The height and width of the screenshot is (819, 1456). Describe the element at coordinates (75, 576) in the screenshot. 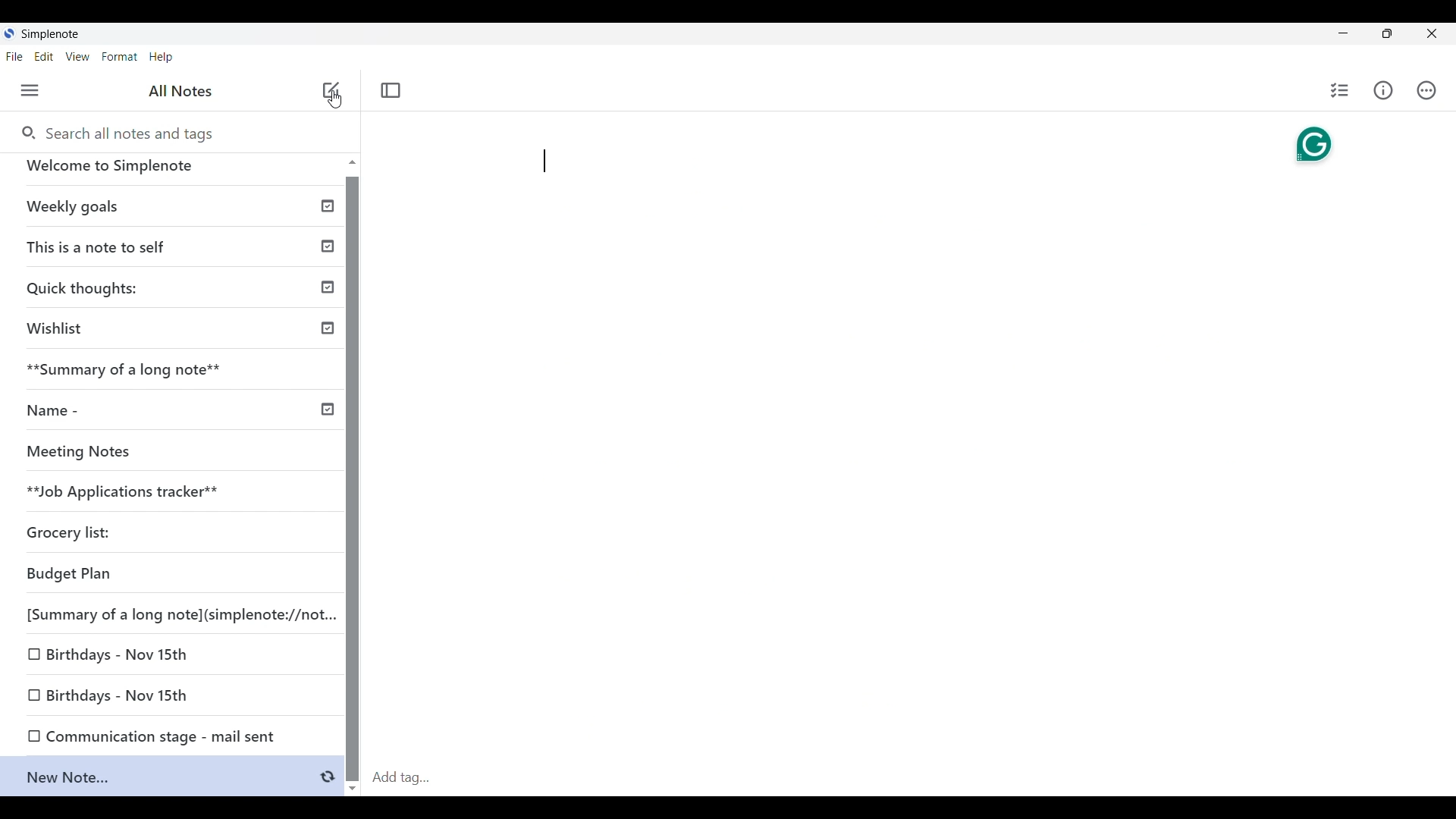

I see `Unpublished note` at that location.